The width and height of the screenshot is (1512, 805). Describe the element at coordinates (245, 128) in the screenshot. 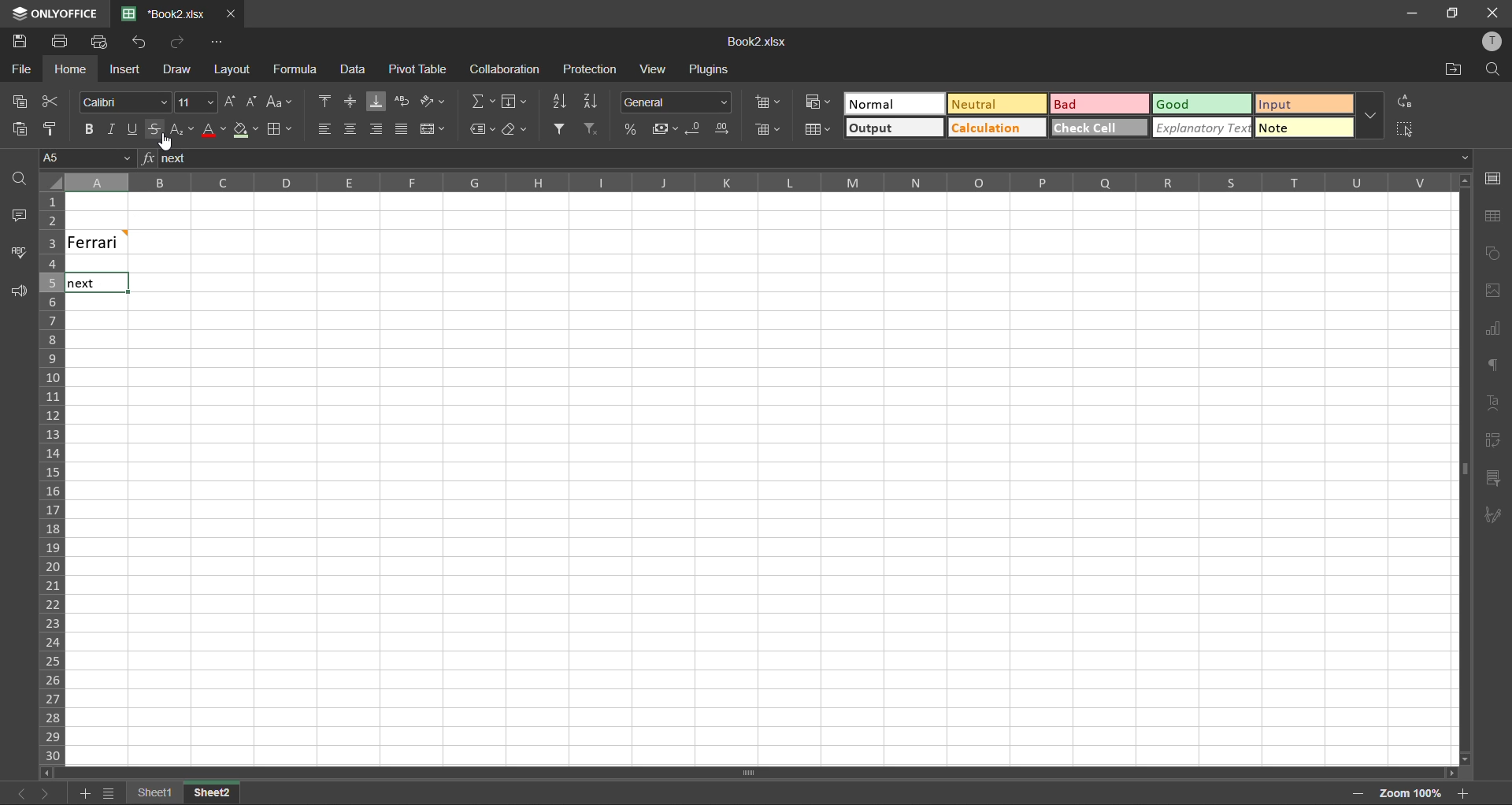

I see `fill color` at that location.